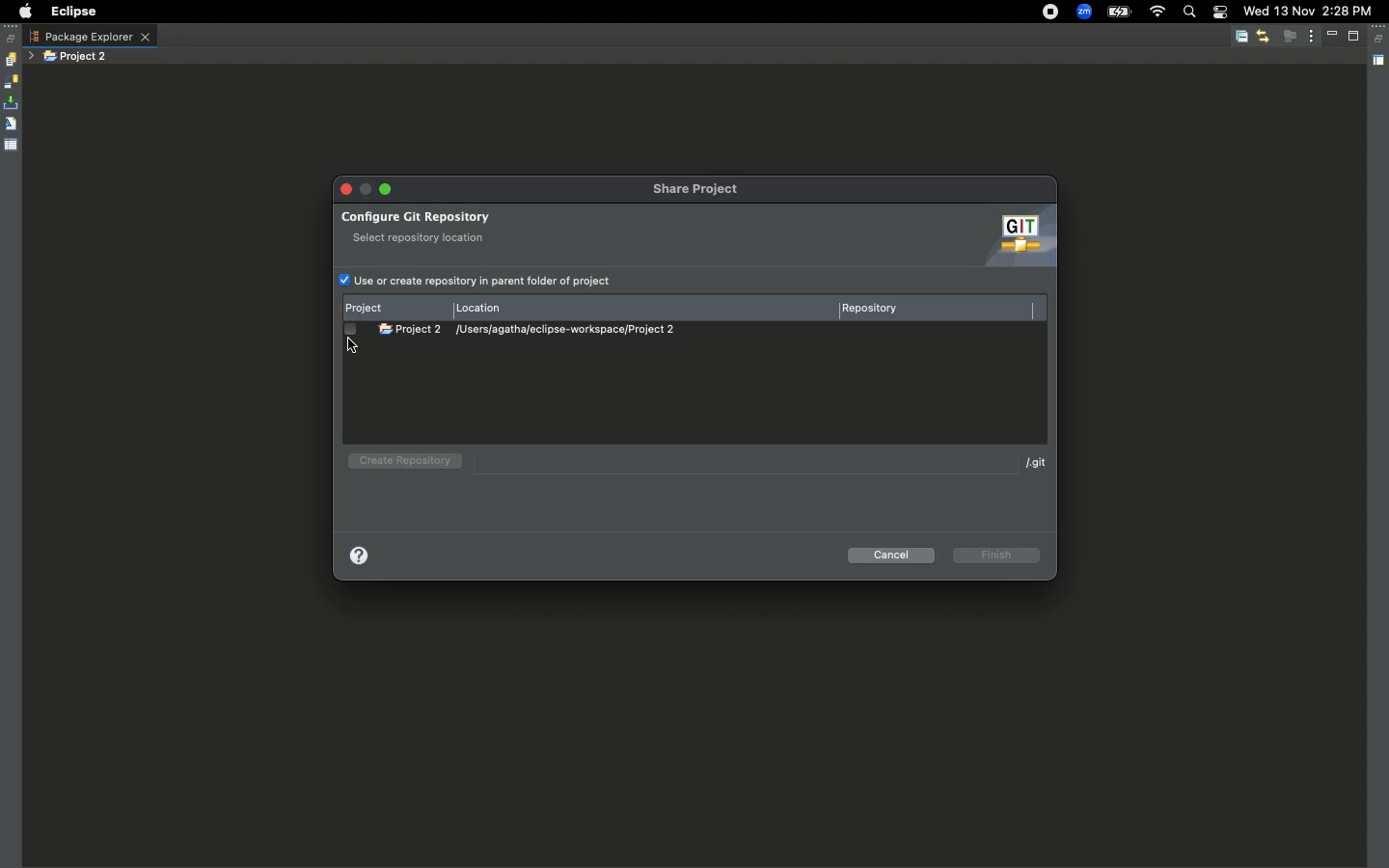 The width and height of the screenshot is (1389, 868). Describe the element at coordinates (1380, 64) in the screenshot. I see `Shared area` at that location.